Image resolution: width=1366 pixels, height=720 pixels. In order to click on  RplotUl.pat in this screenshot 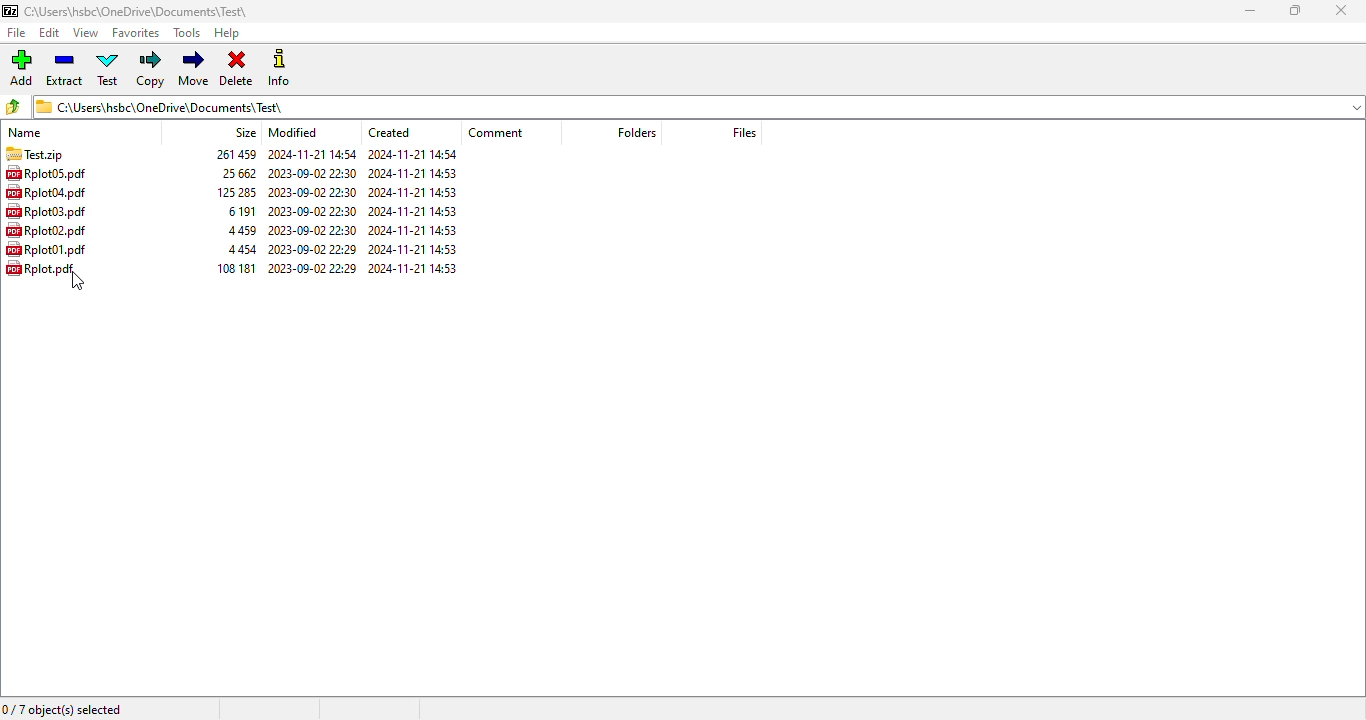, I will do `click(46, 250)`.